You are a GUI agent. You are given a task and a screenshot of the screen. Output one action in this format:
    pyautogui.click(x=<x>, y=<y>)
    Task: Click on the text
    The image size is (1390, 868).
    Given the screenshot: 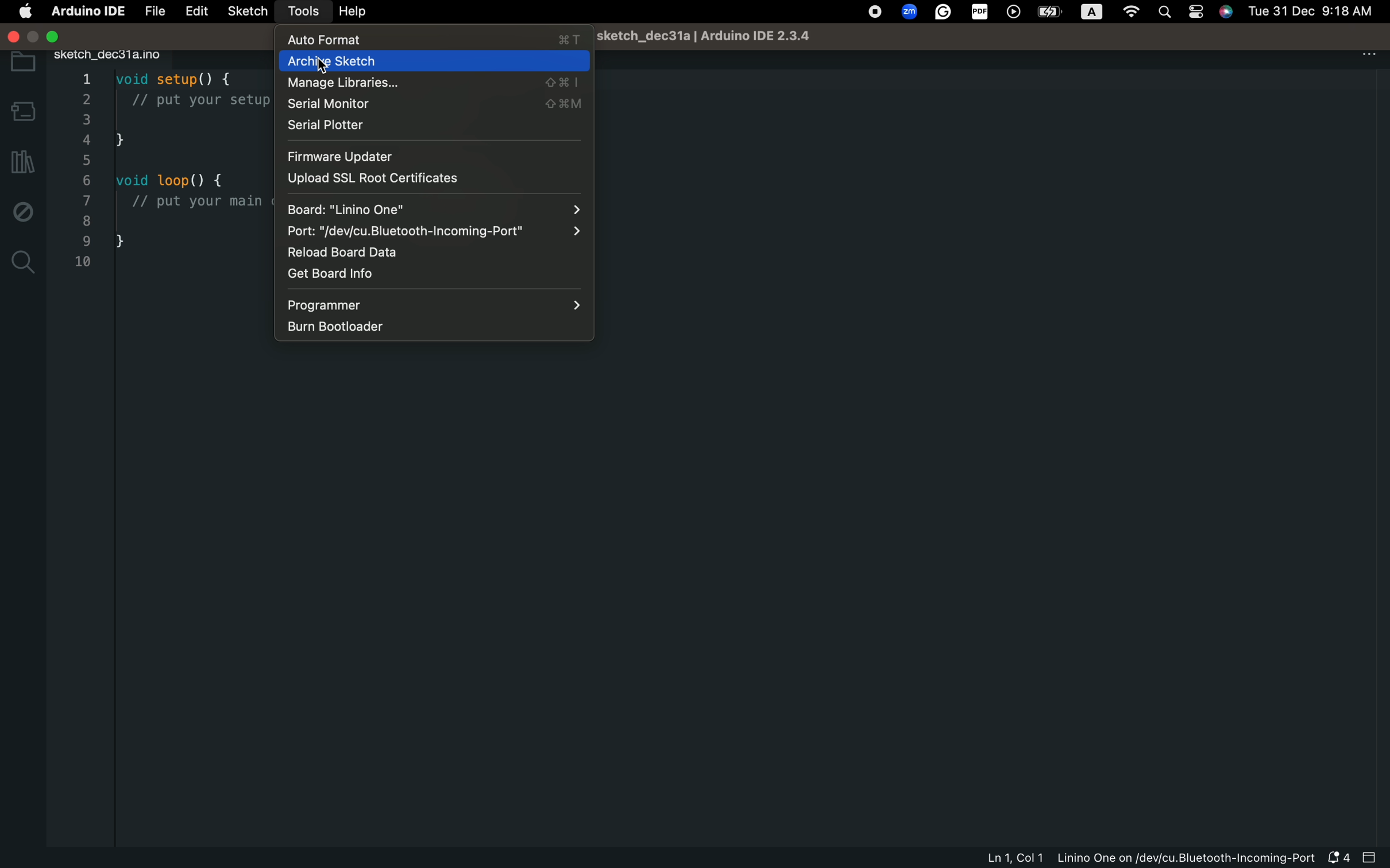 What is the action you would take?
    pyautogui.click(x=1092, y=13)
    